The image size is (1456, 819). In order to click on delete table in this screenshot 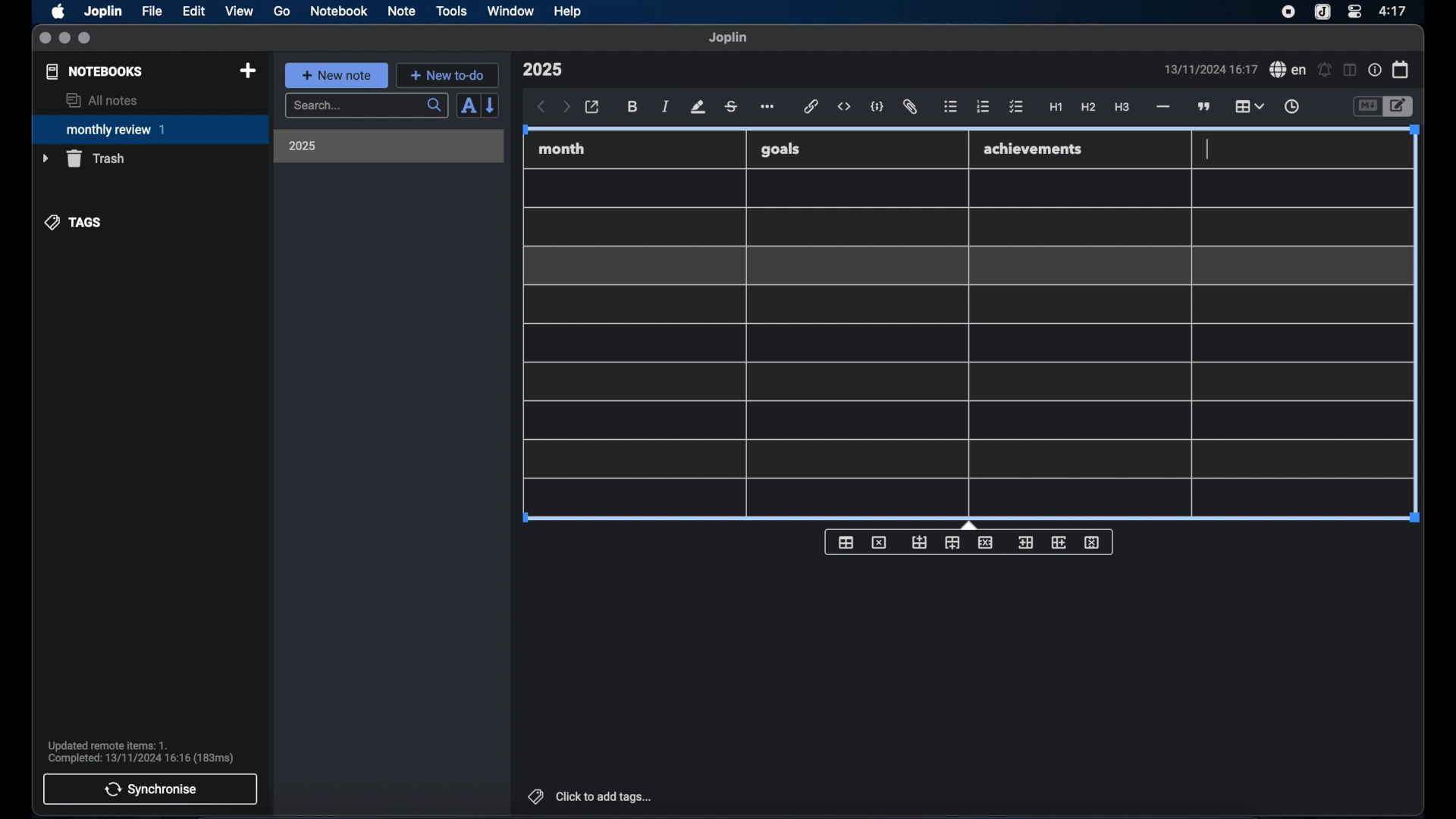, I will do `click(879, 543)`.